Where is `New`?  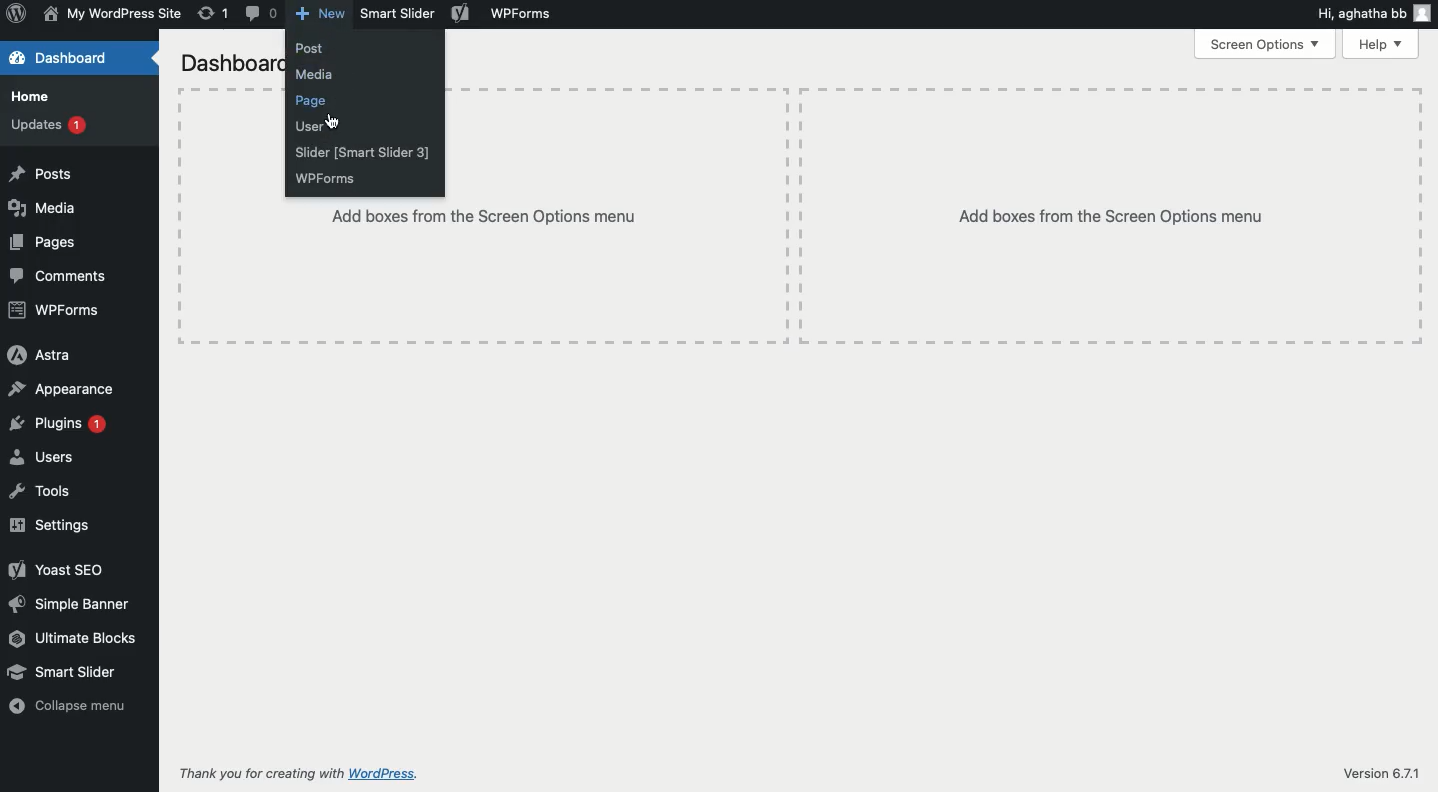
New is located at coordinates (322, 15).